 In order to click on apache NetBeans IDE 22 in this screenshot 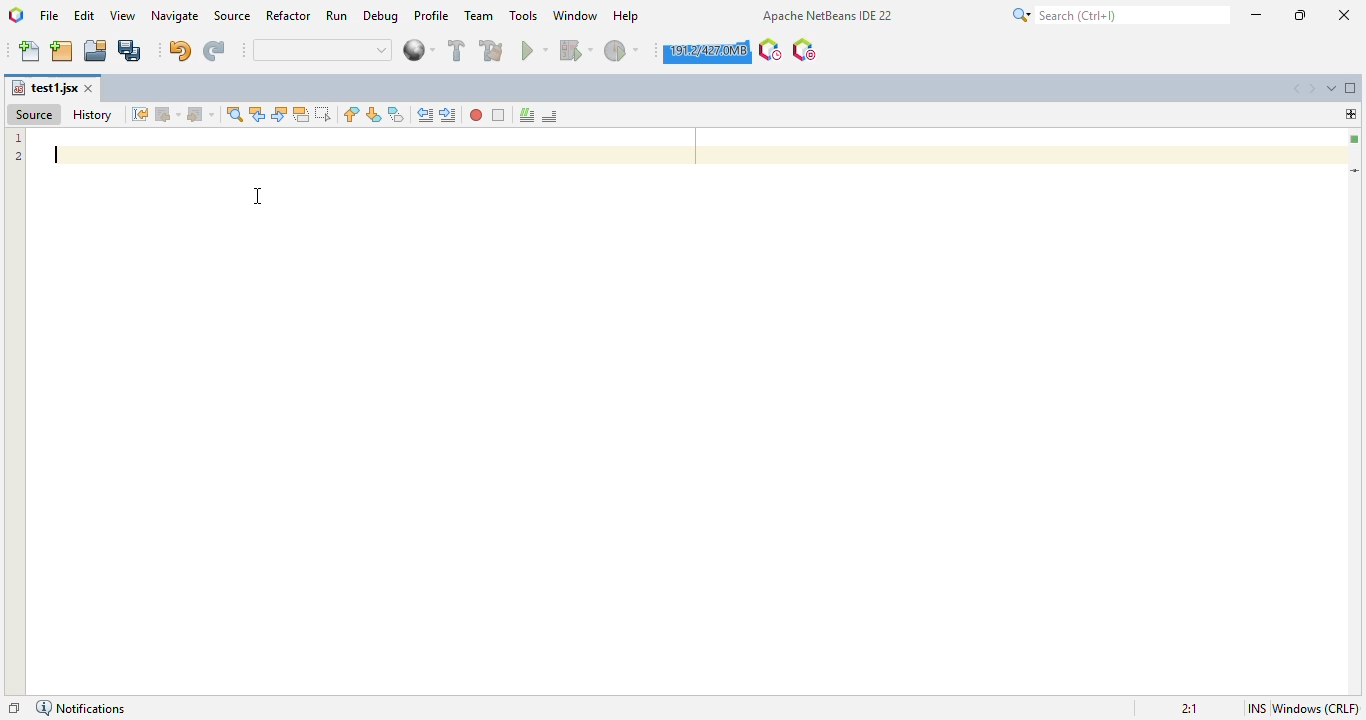, I will do `click(828, 15)`.